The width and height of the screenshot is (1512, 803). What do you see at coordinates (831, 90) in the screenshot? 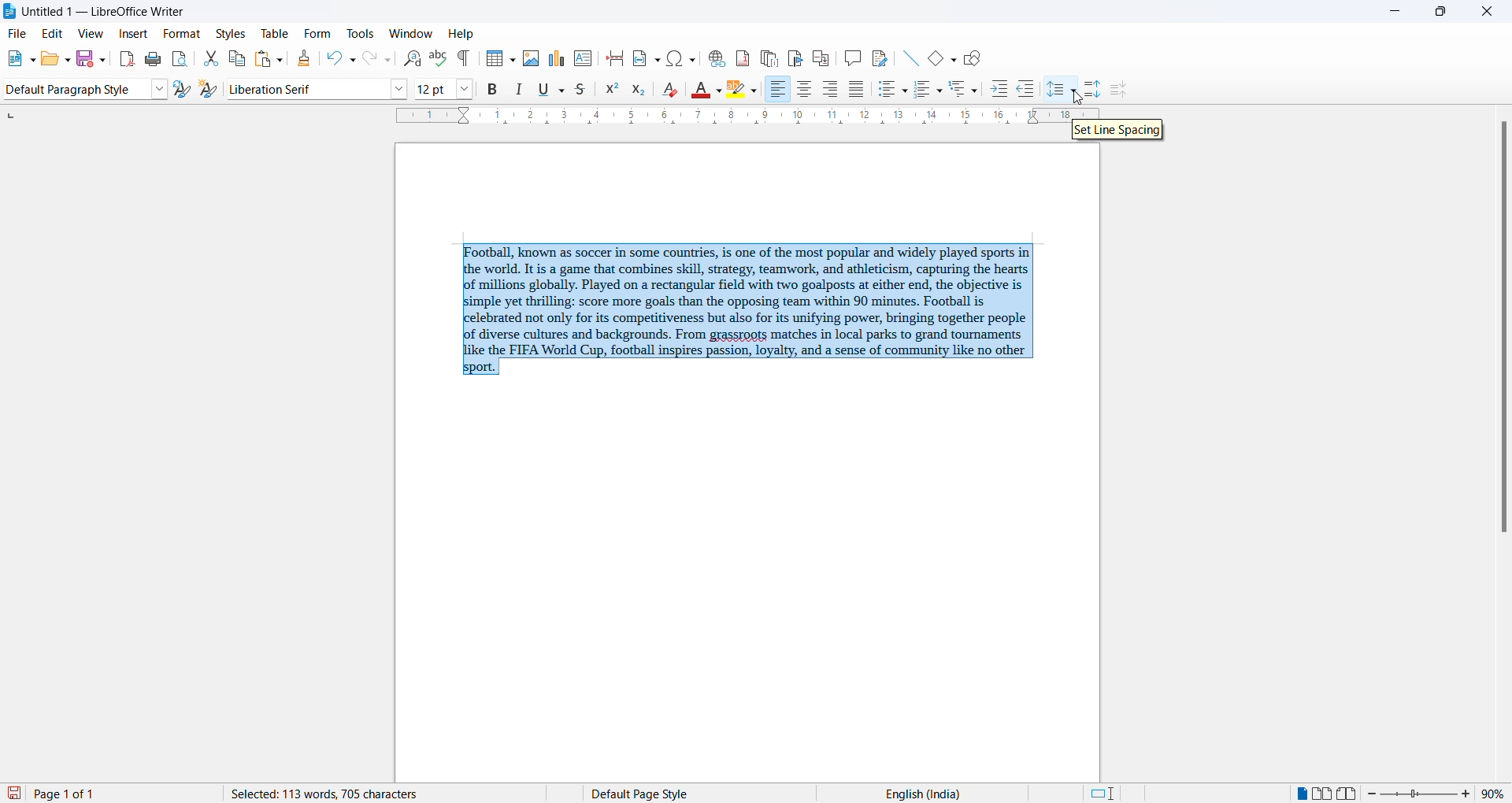
I see `text align center` at bounding box center [831, 90].